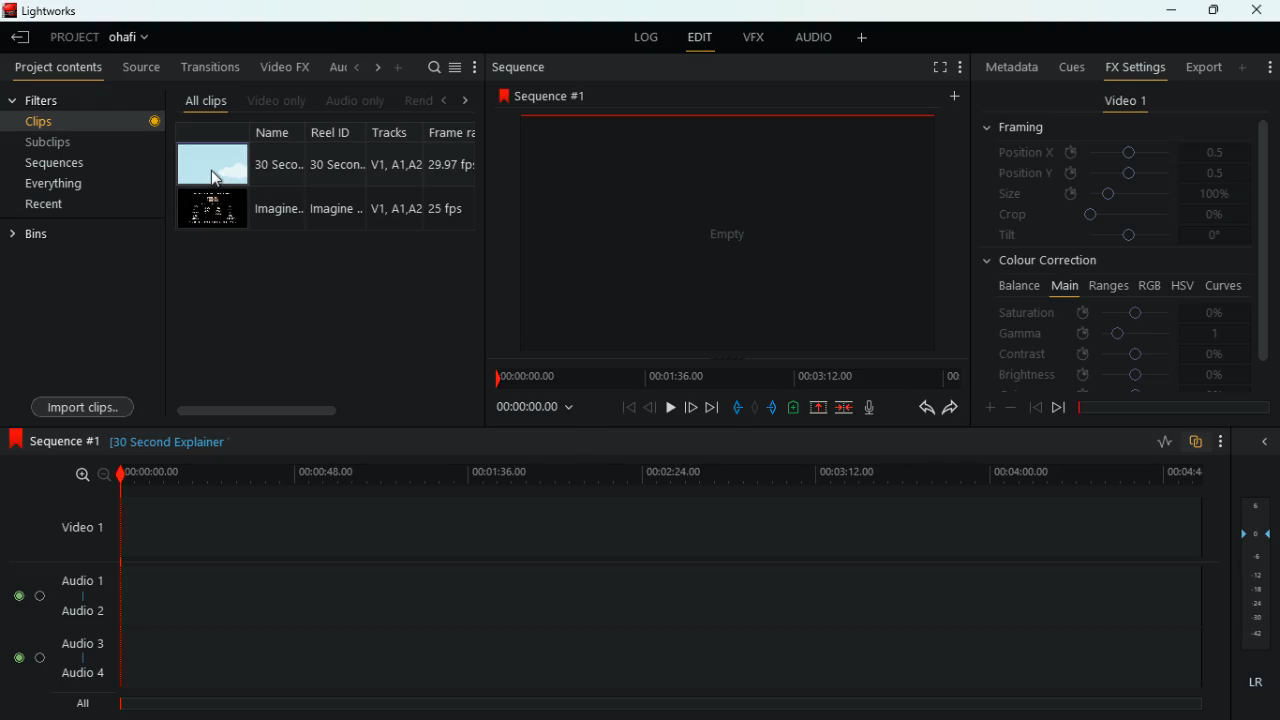 This screenshot has height=720, width=1280. What do you see at coordinates (56, 69) in the screenshot?
I see `project contents` at bounding box center [56, 69].